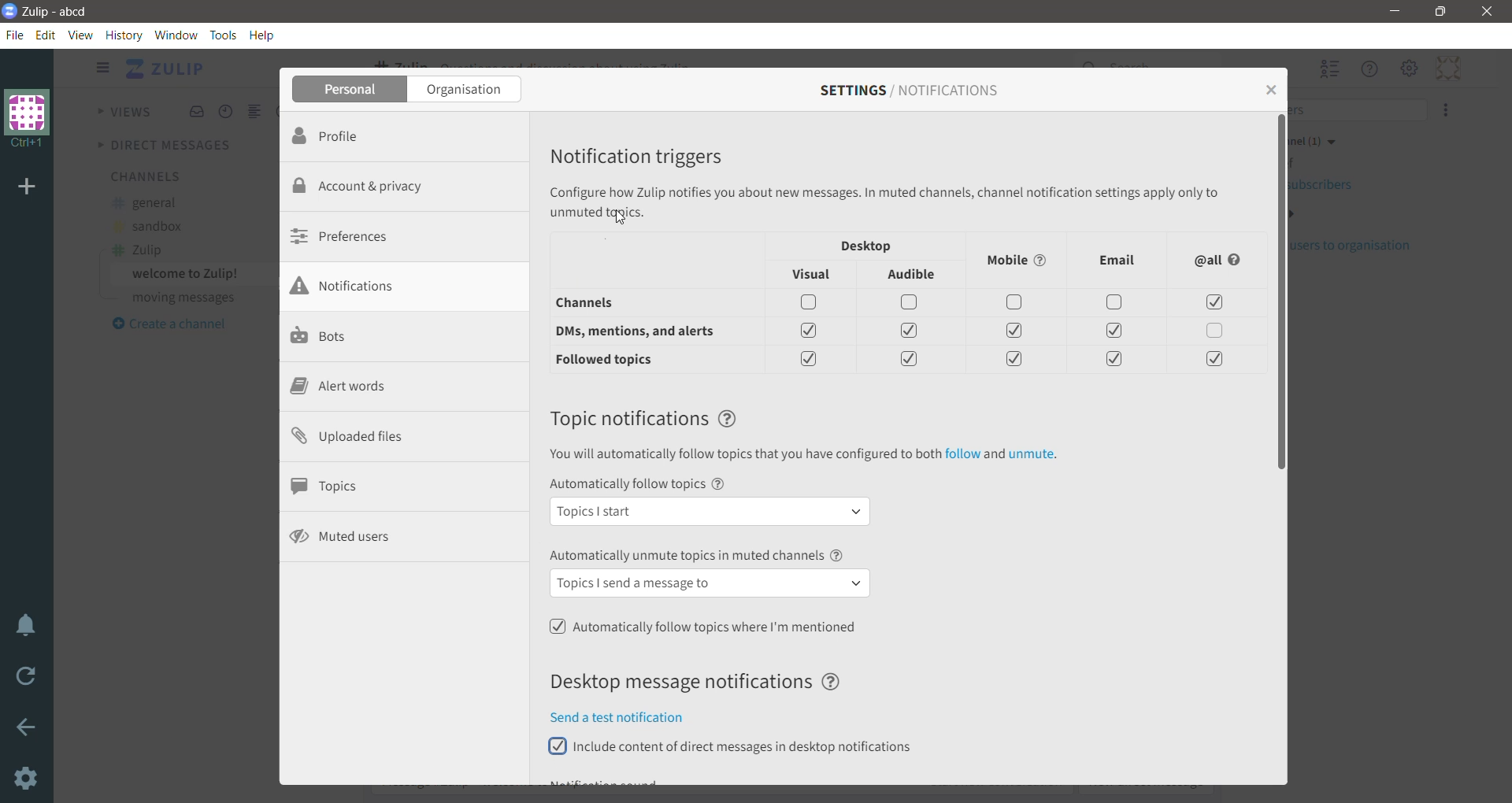 This screenshot has width=1512, height=803. What do you see at coordinates (913, 331) in the screenshot?
I see `check box` at bounding box center [913, 331].